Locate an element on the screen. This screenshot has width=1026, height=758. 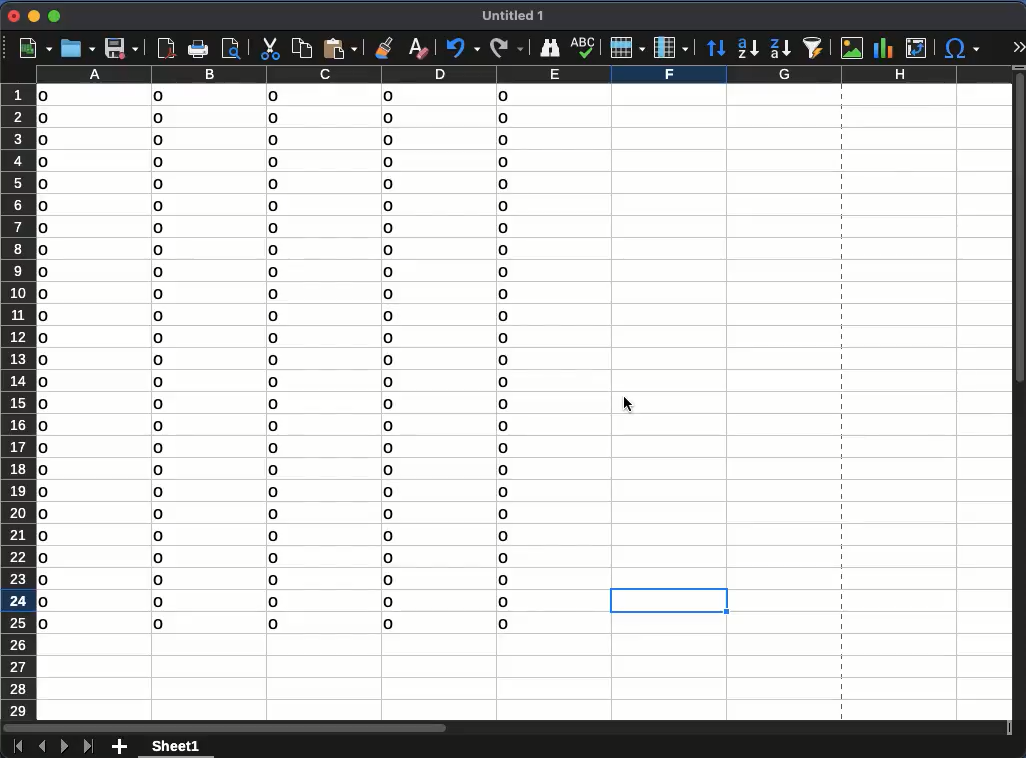
spell check is located at coordinates (583, 48).